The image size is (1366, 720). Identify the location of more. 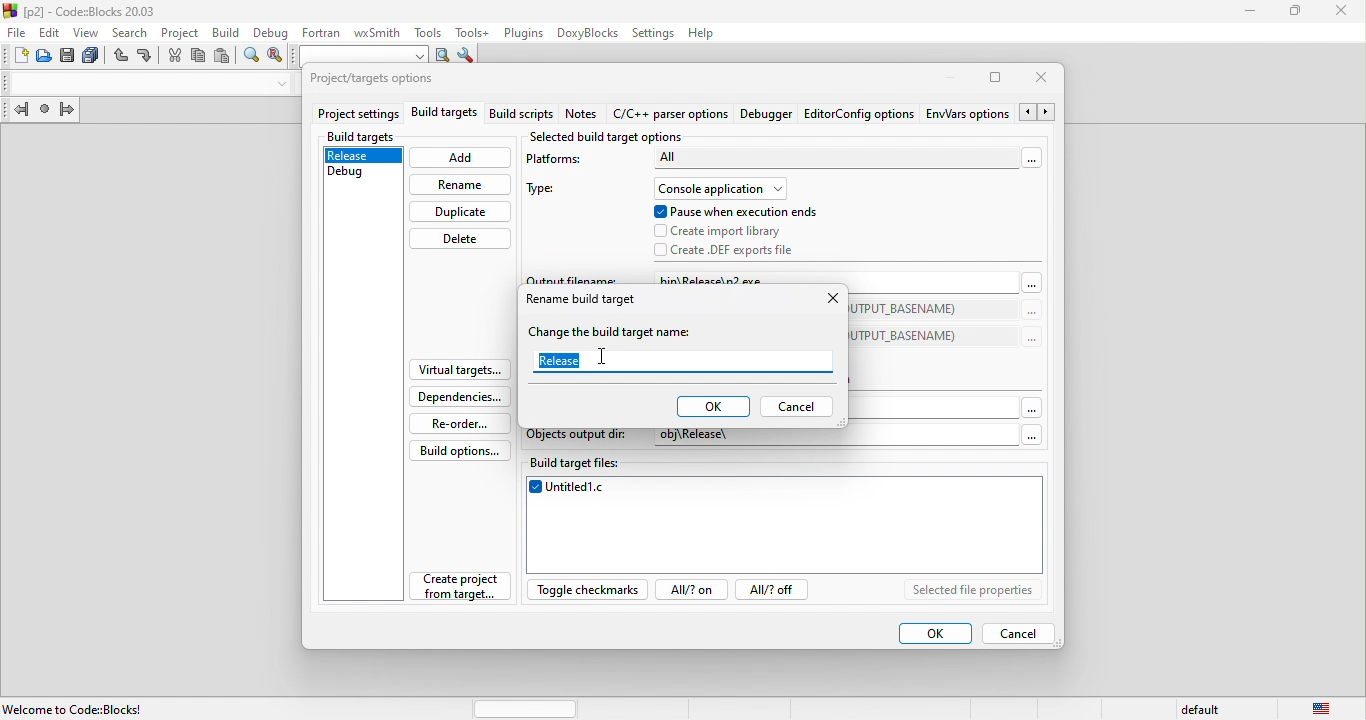
(1030, 338).